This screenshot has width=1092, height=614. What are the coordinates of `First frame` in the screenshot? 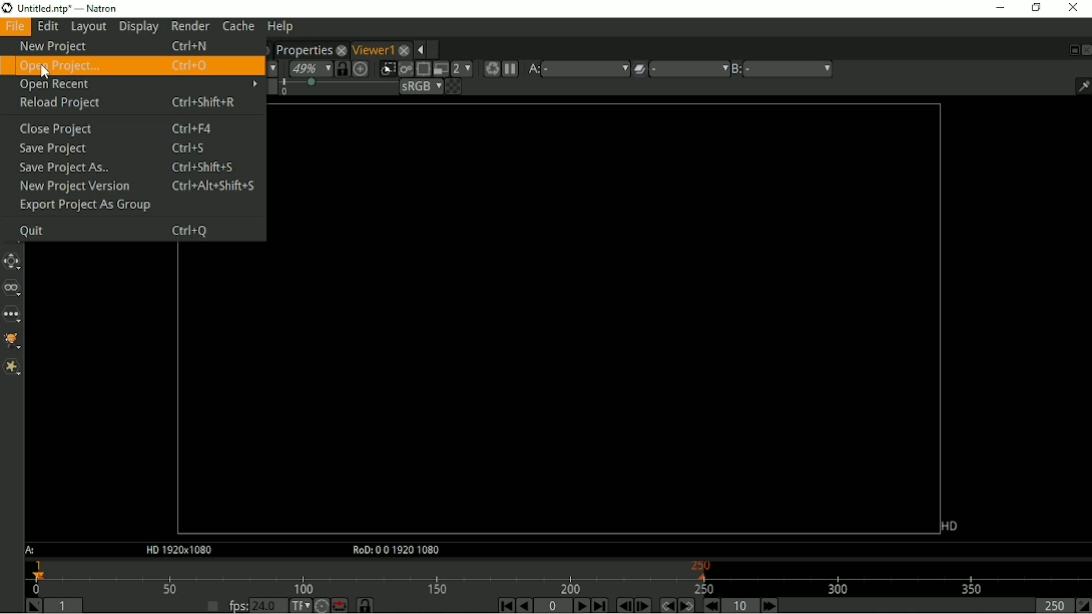 It's located at (503, 605).